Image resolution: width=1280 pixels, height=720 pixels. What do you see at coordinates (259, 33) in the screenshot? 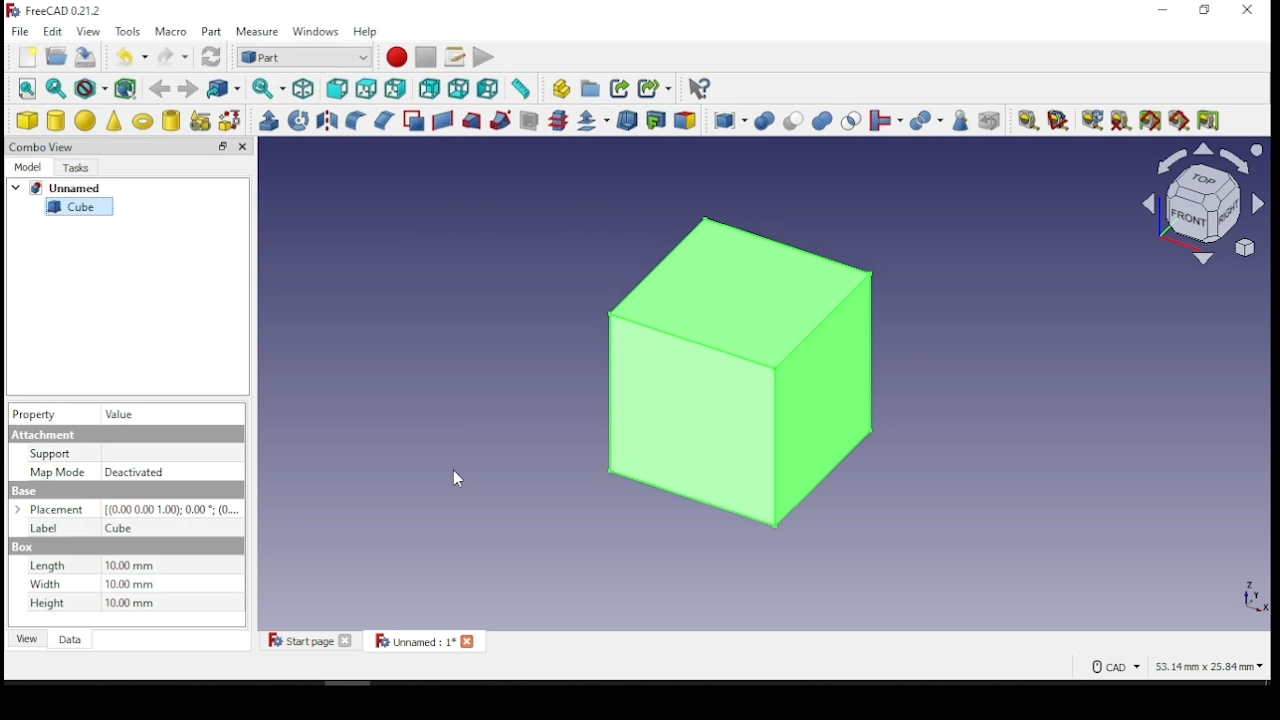
I see `measure` at bounding box center [259, 33].